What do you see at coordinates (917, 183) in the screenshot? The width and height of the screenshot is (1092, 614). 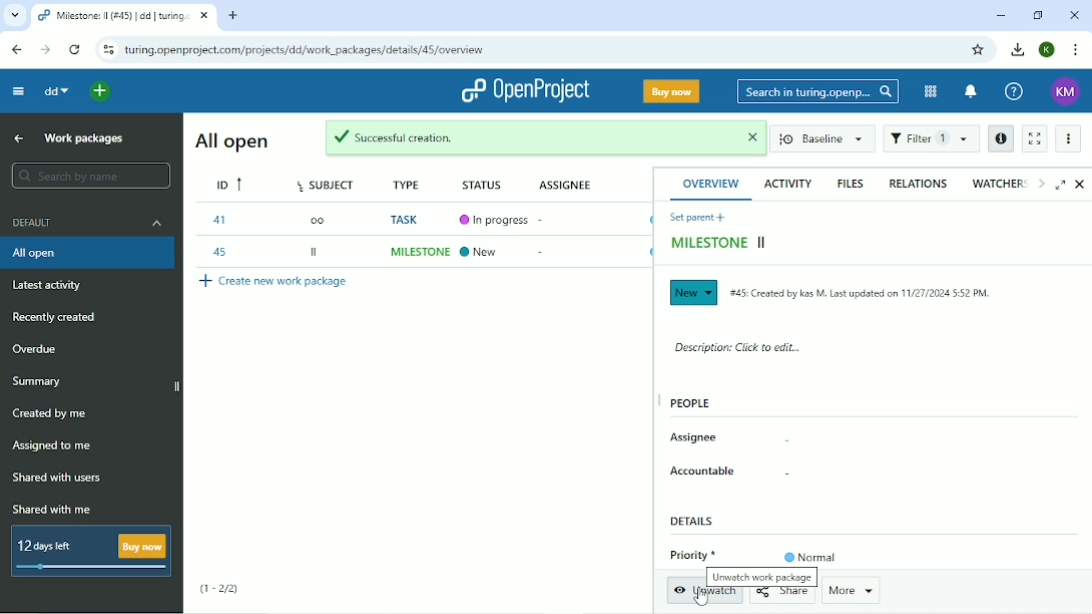 I see `Relations` at bounding box center [917, 183].